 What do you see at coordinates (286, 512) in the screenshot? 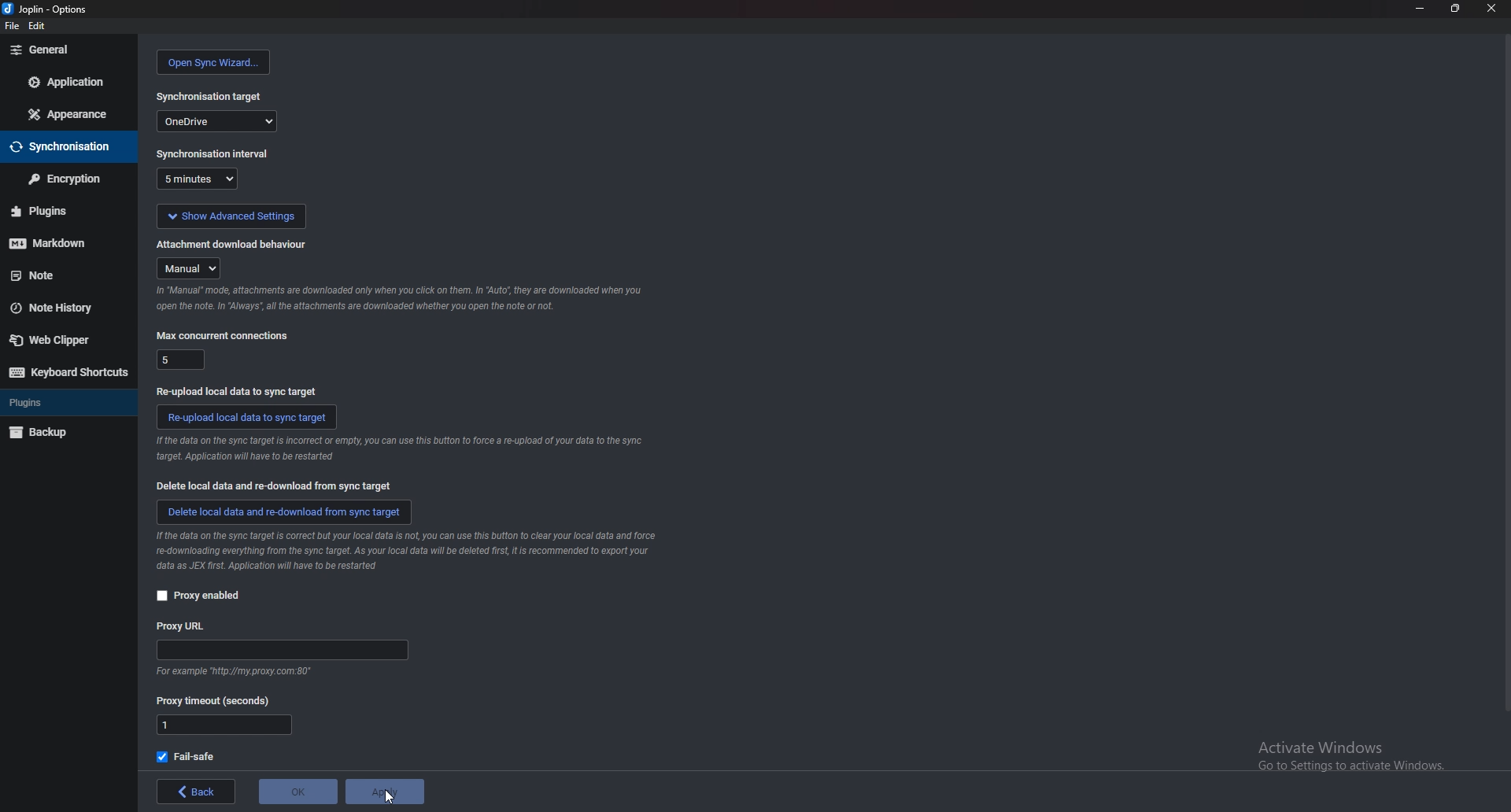
I see `delete local data and re download from sync target` at bounding box center [286, 512].